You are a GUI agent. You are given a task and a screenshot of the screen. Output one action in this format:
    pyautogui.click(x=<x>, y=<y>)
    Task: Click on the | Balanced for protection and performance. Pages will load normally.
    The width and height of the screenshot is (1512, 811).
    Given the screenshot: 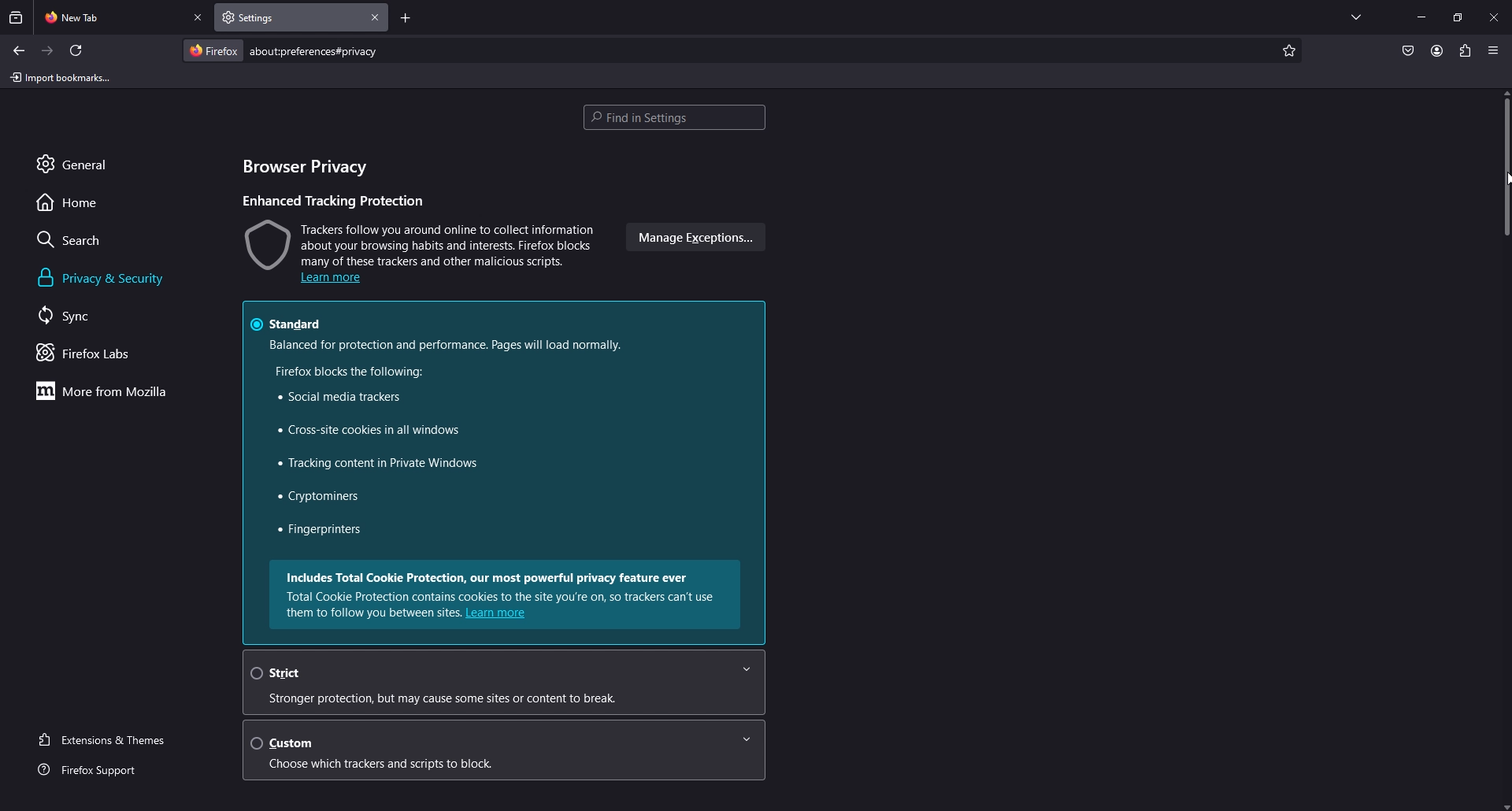 What is the action you would take?
    pyautogui.click(x=444, y=345)
    